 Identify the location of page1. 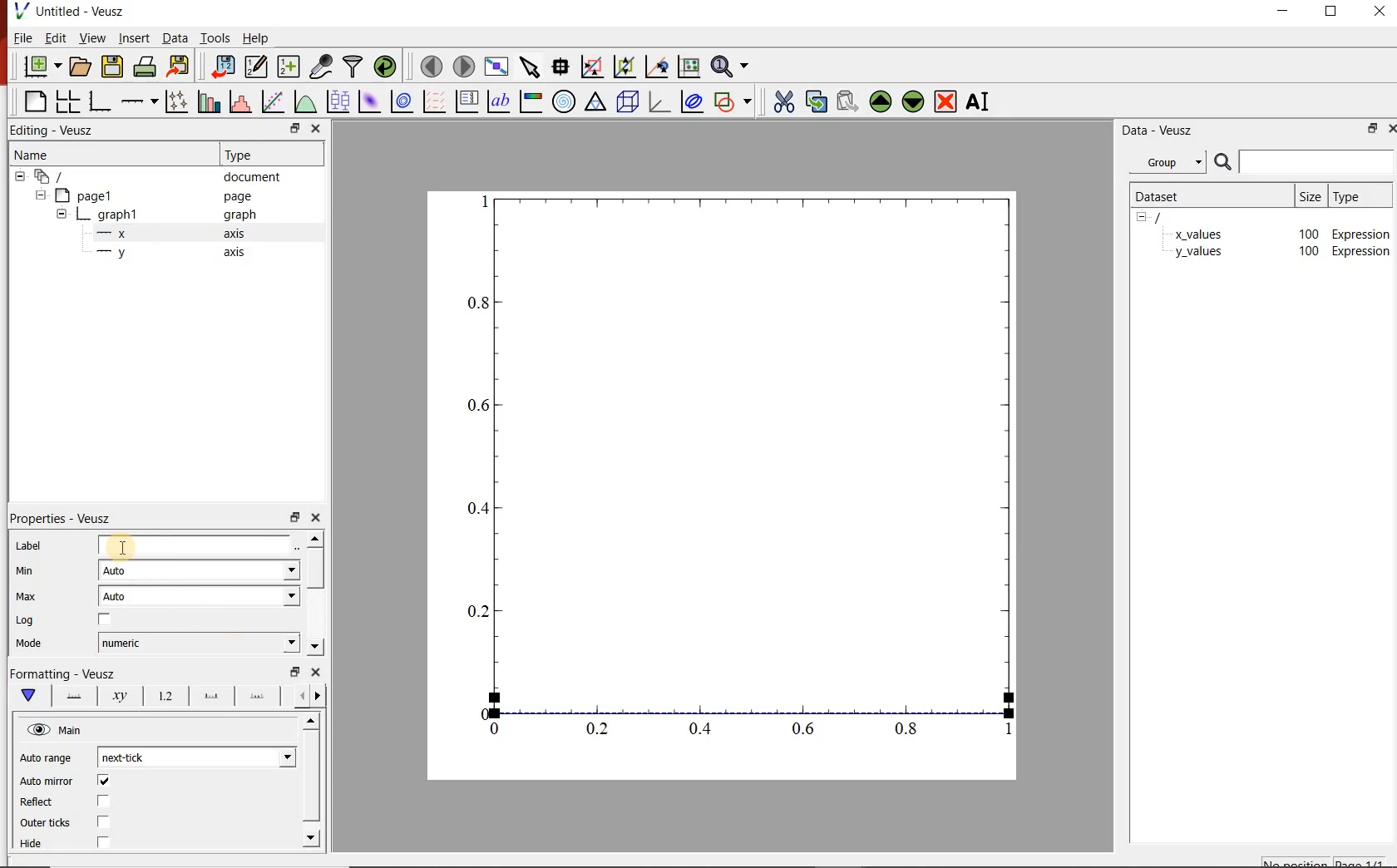
(91, 194).